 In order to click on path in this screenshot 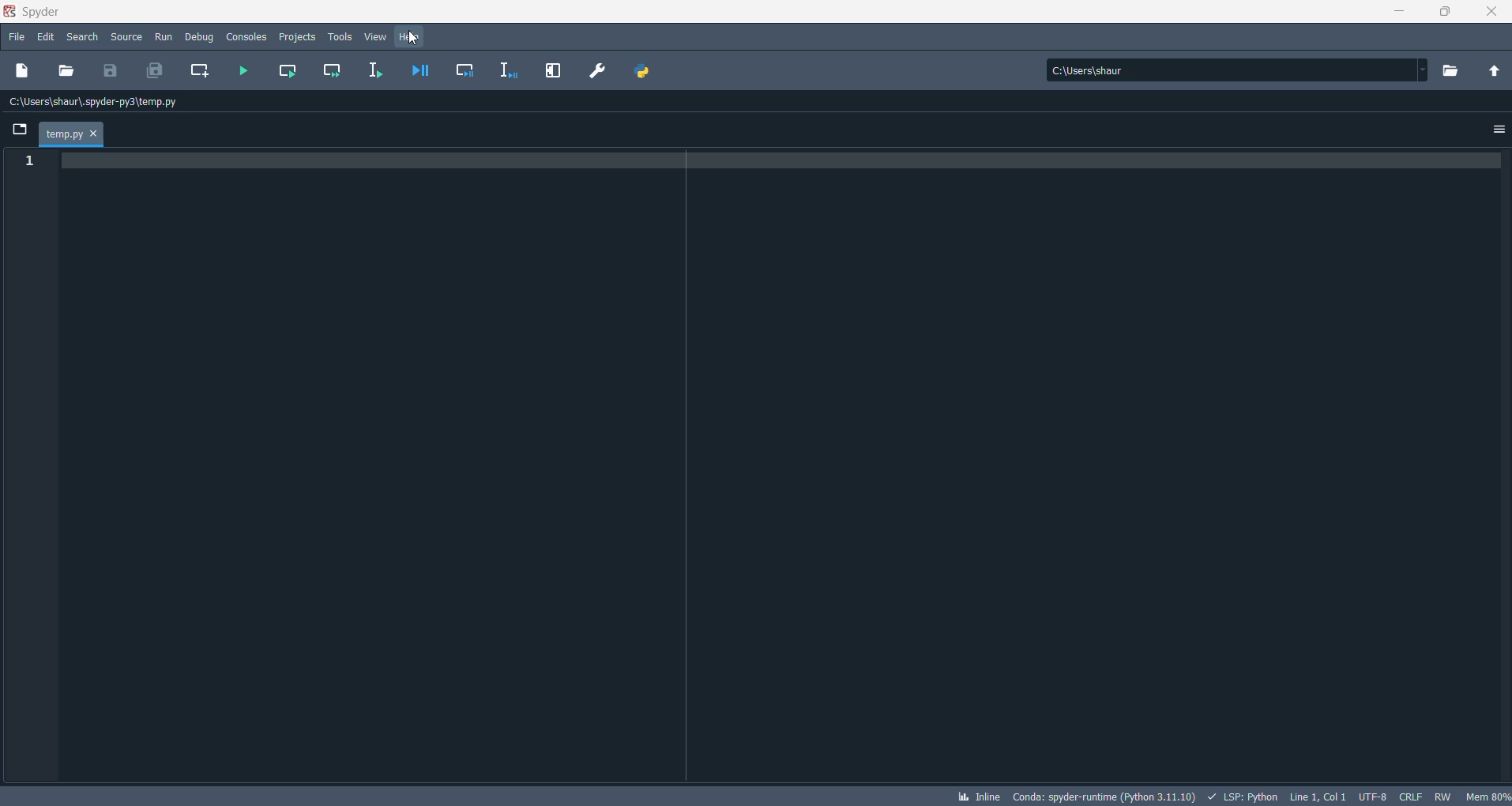, I will do `click(1231, 70)`.